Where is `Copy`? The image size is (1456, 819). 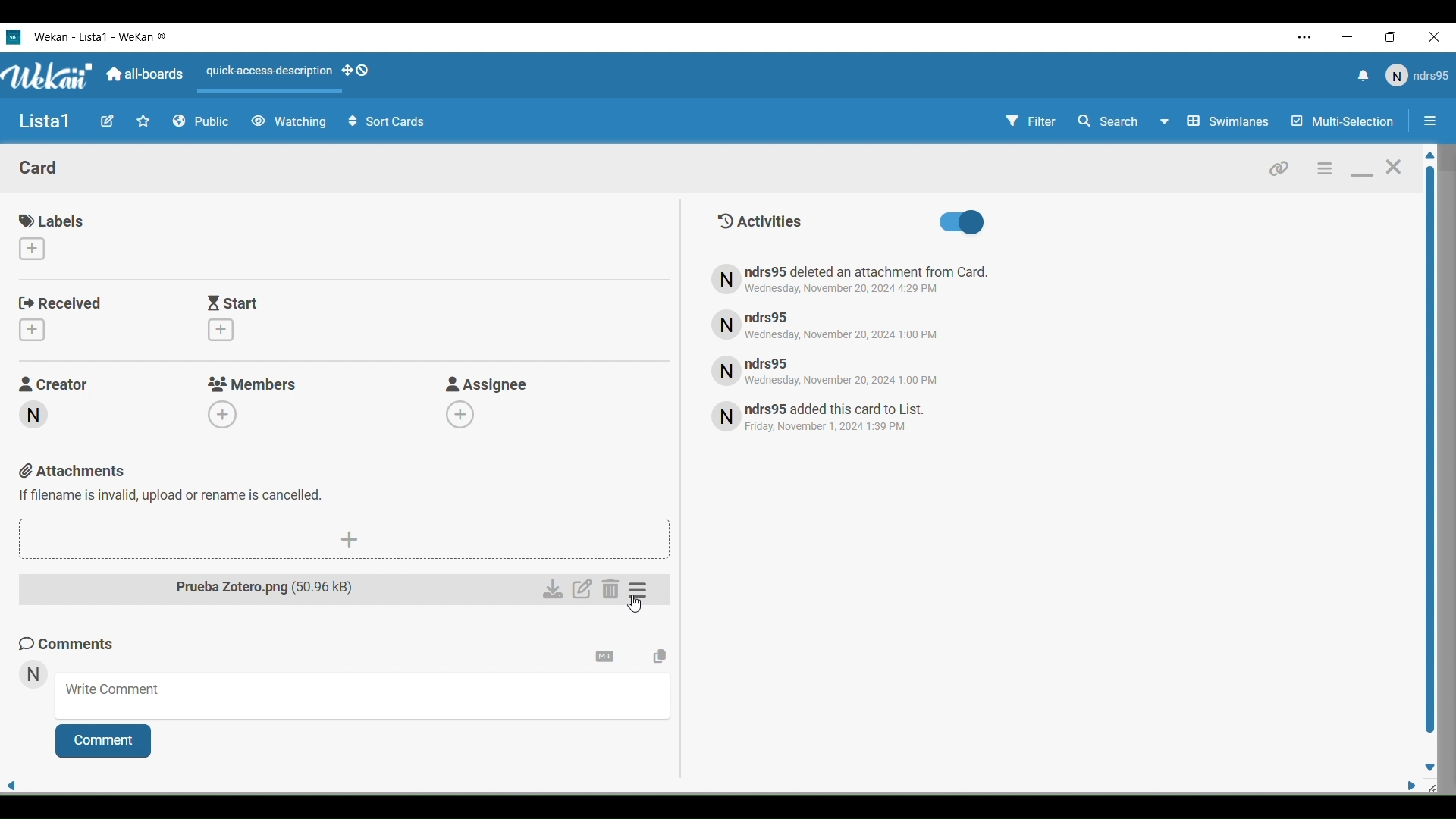
Copy is located at coordinates (660, 657).